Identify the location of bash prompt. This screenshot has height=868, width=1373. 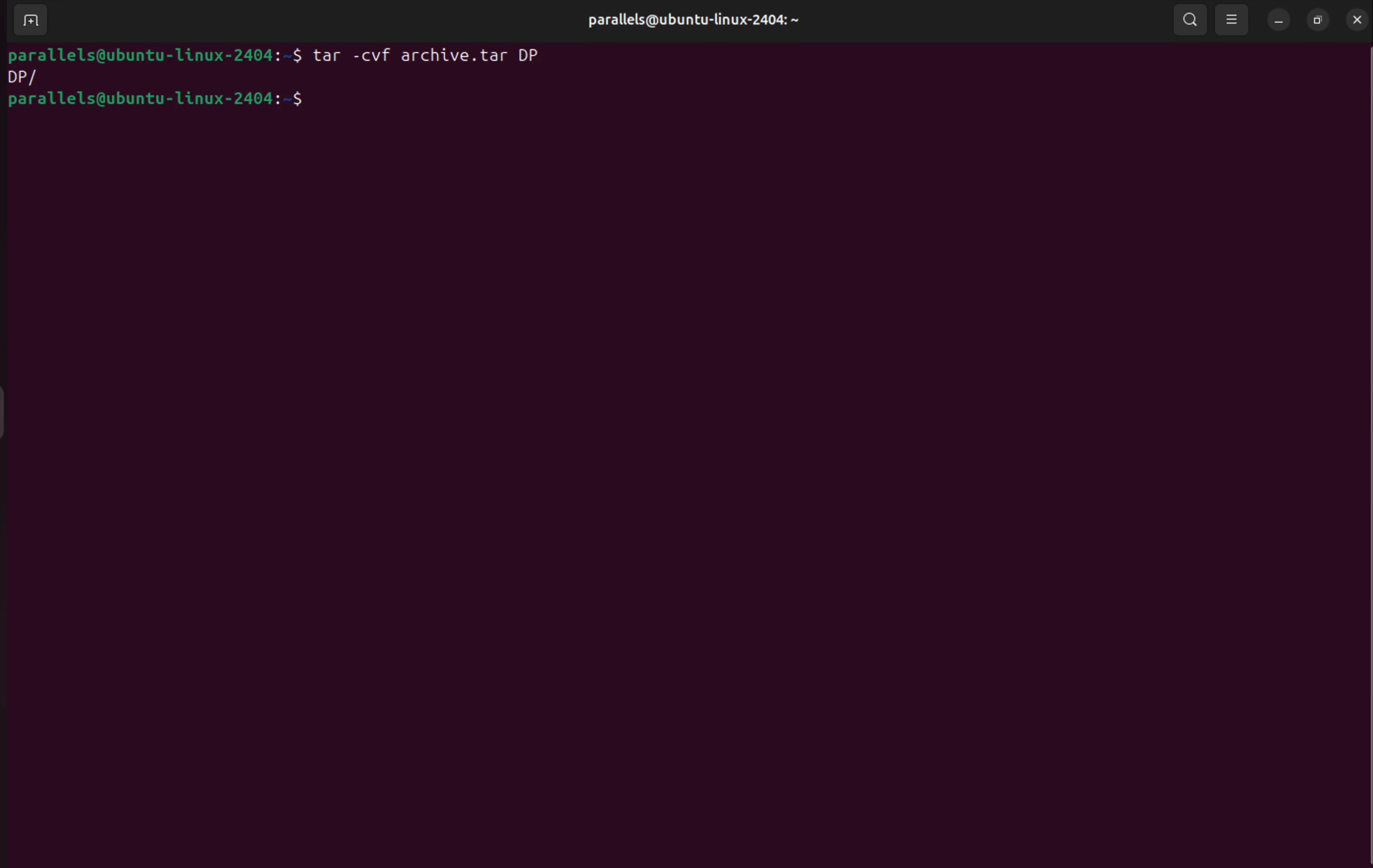
(171, 102).